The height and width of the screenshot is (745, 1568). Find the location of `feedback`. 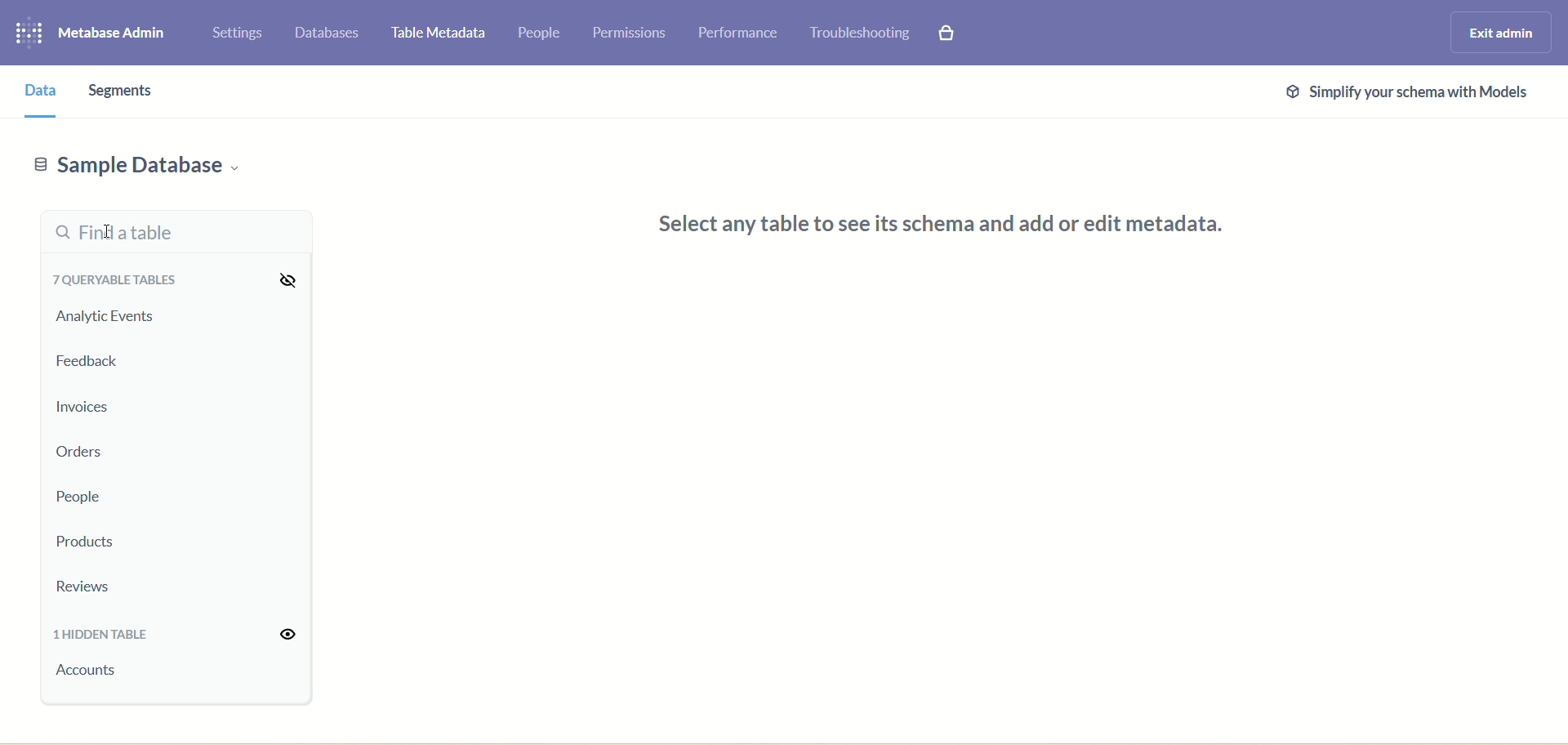

feedback is located at coordinates (89, 363).